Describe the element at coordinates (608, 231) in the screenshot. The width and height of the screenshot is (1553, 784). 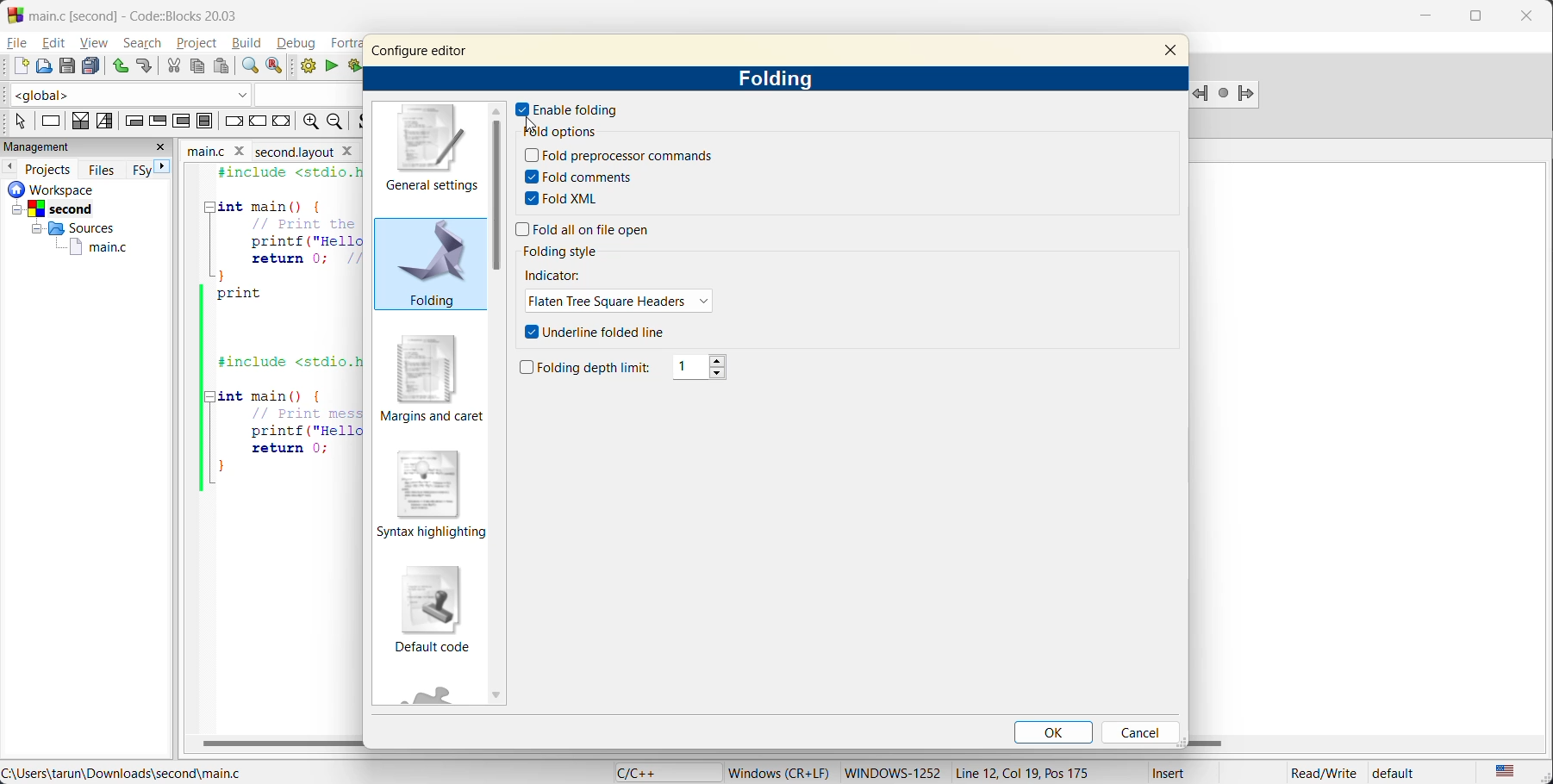
I see `fold all on file open` at that location.